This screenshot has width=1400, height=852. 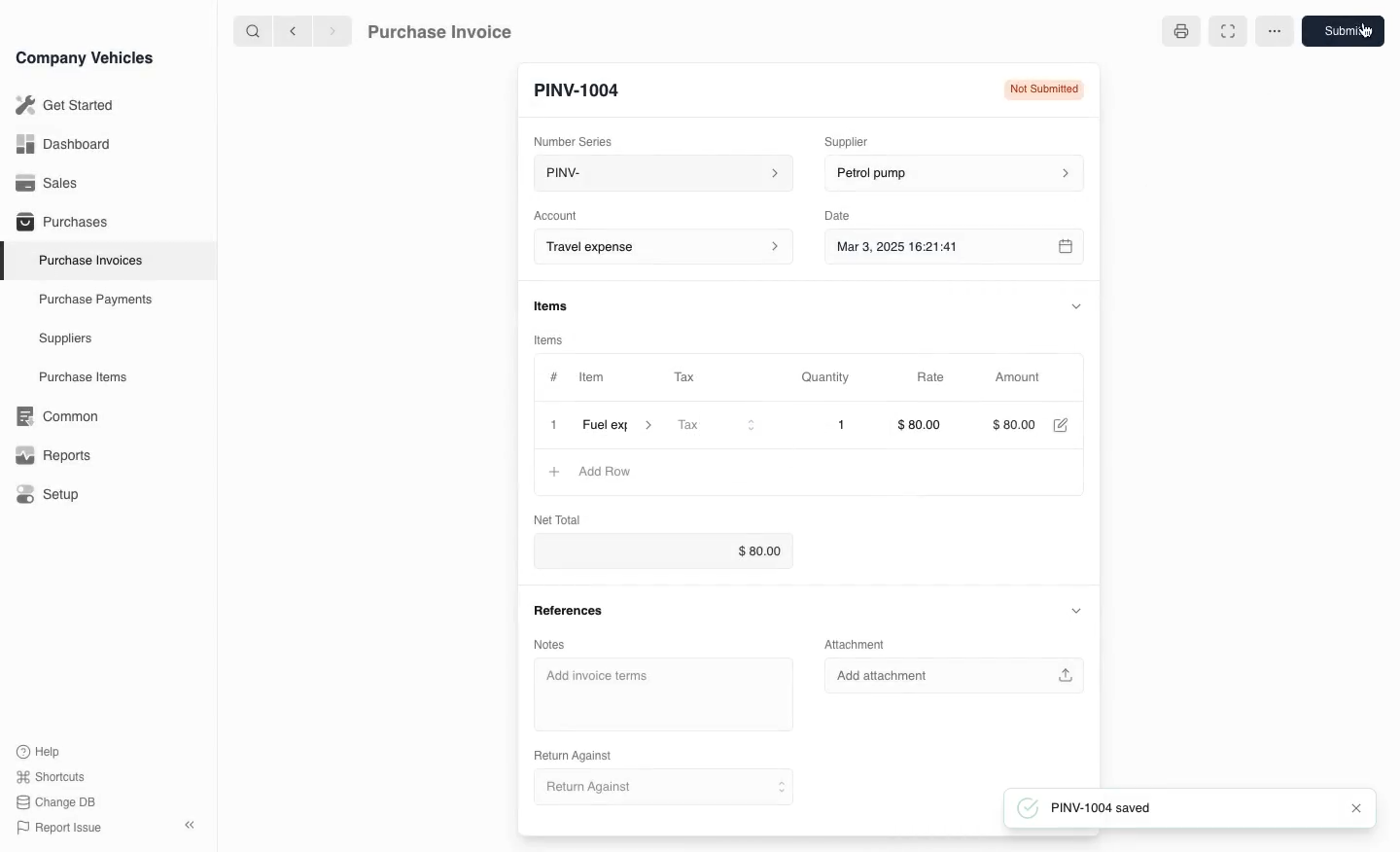 I want to click on PINV-, so click(x=657, y=175).